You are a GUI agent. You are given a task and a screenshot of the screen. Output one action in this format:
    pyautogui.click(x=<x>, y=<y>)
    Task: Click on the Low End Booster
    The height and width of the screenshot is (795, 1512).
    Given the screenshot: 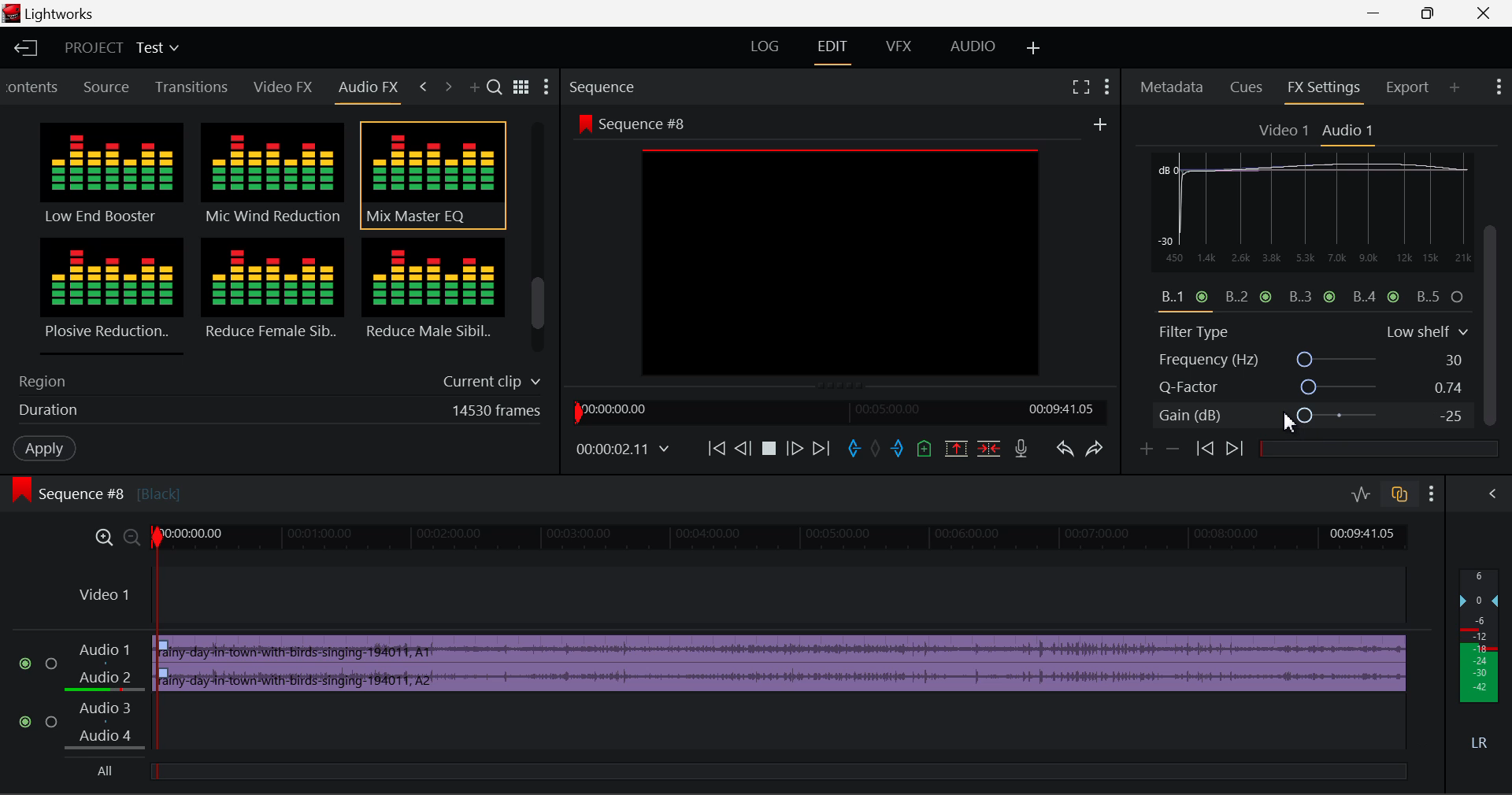 What is the action you would take?
    pyautogui.click(x=109, y=175)
    